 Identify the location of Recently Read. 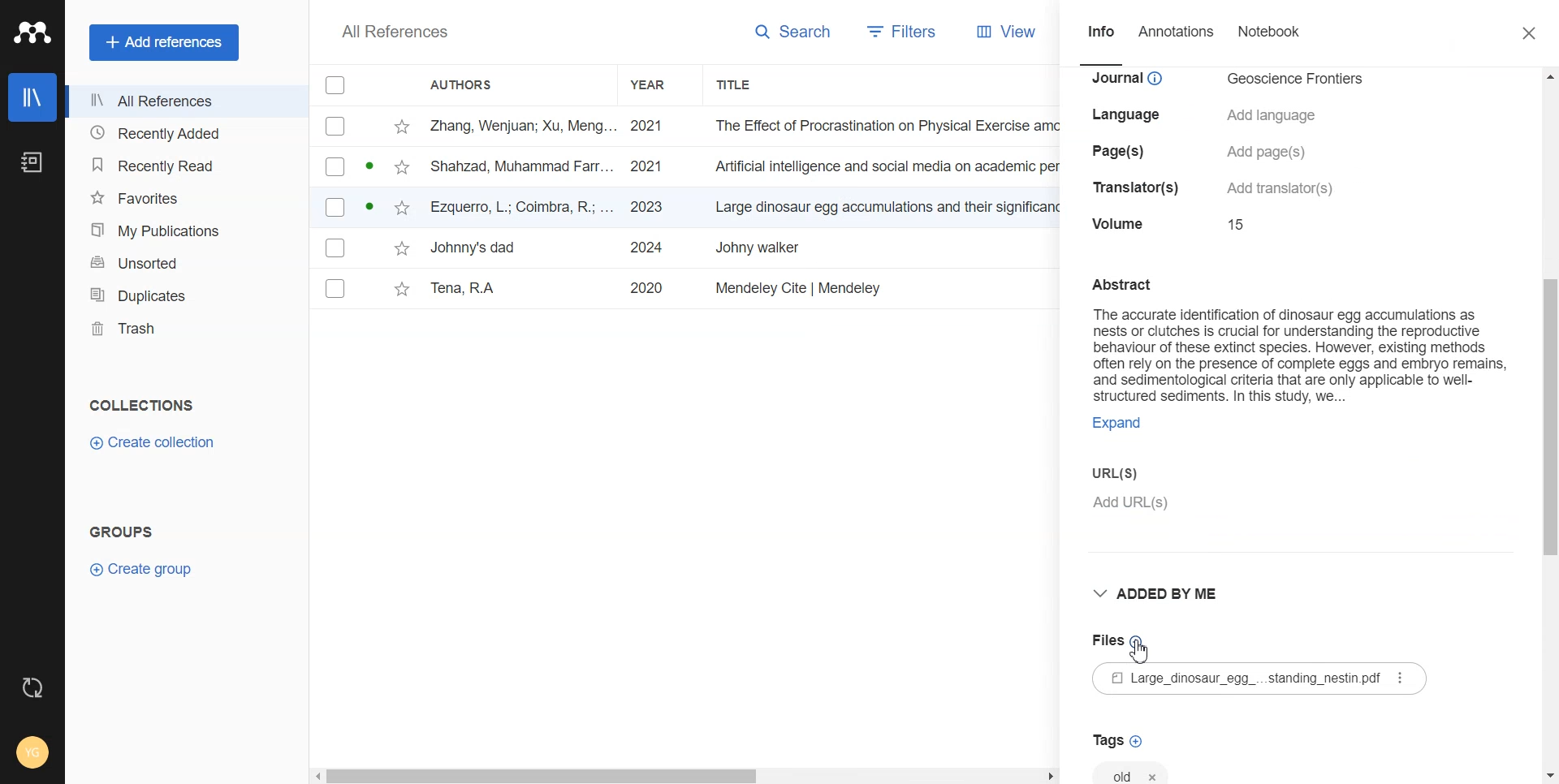
(184, 164).